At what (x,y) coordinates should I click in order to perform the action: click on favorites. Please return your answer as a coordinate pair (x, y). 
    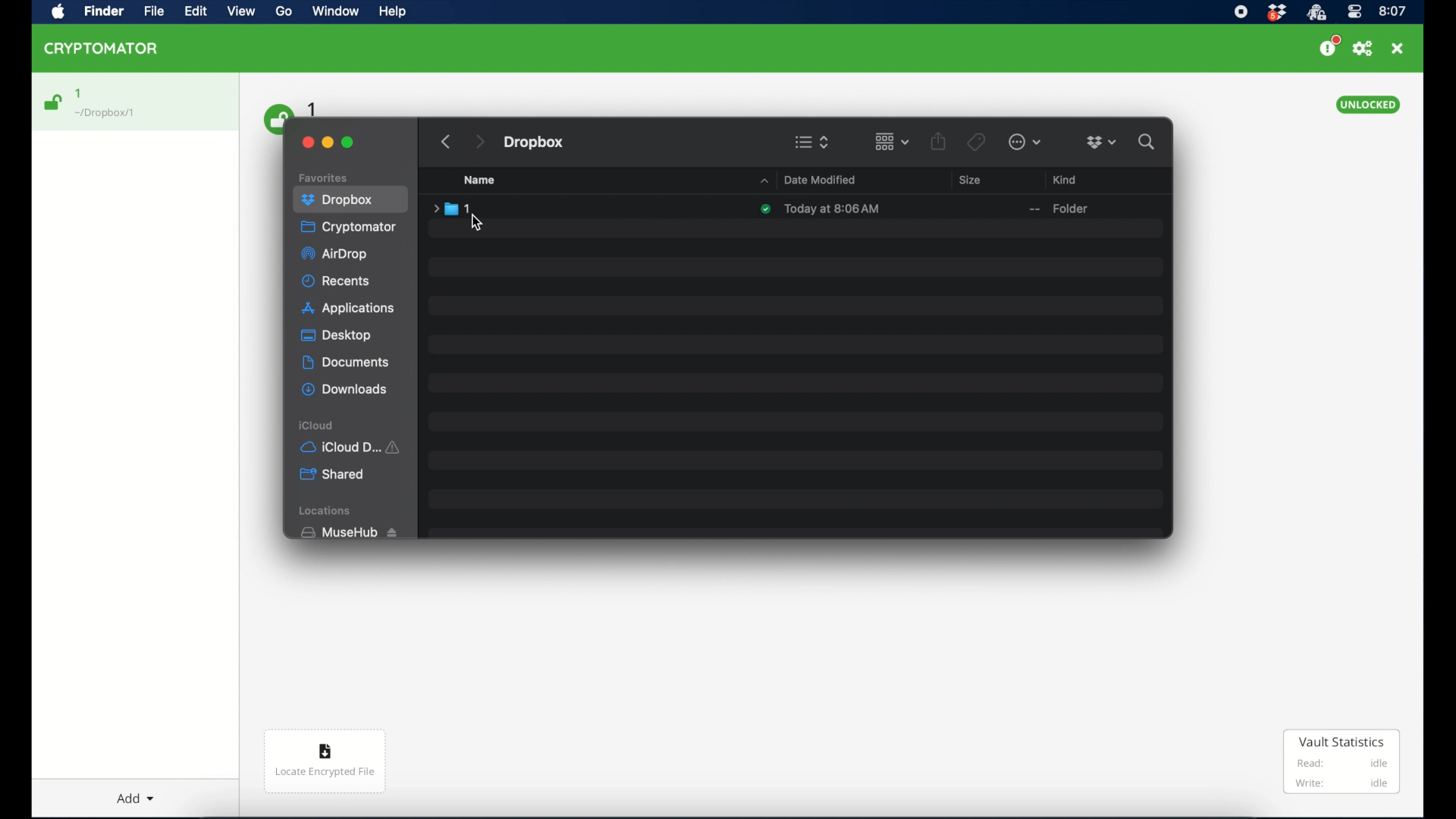
    Looking at the image, I should click on (325, 176).